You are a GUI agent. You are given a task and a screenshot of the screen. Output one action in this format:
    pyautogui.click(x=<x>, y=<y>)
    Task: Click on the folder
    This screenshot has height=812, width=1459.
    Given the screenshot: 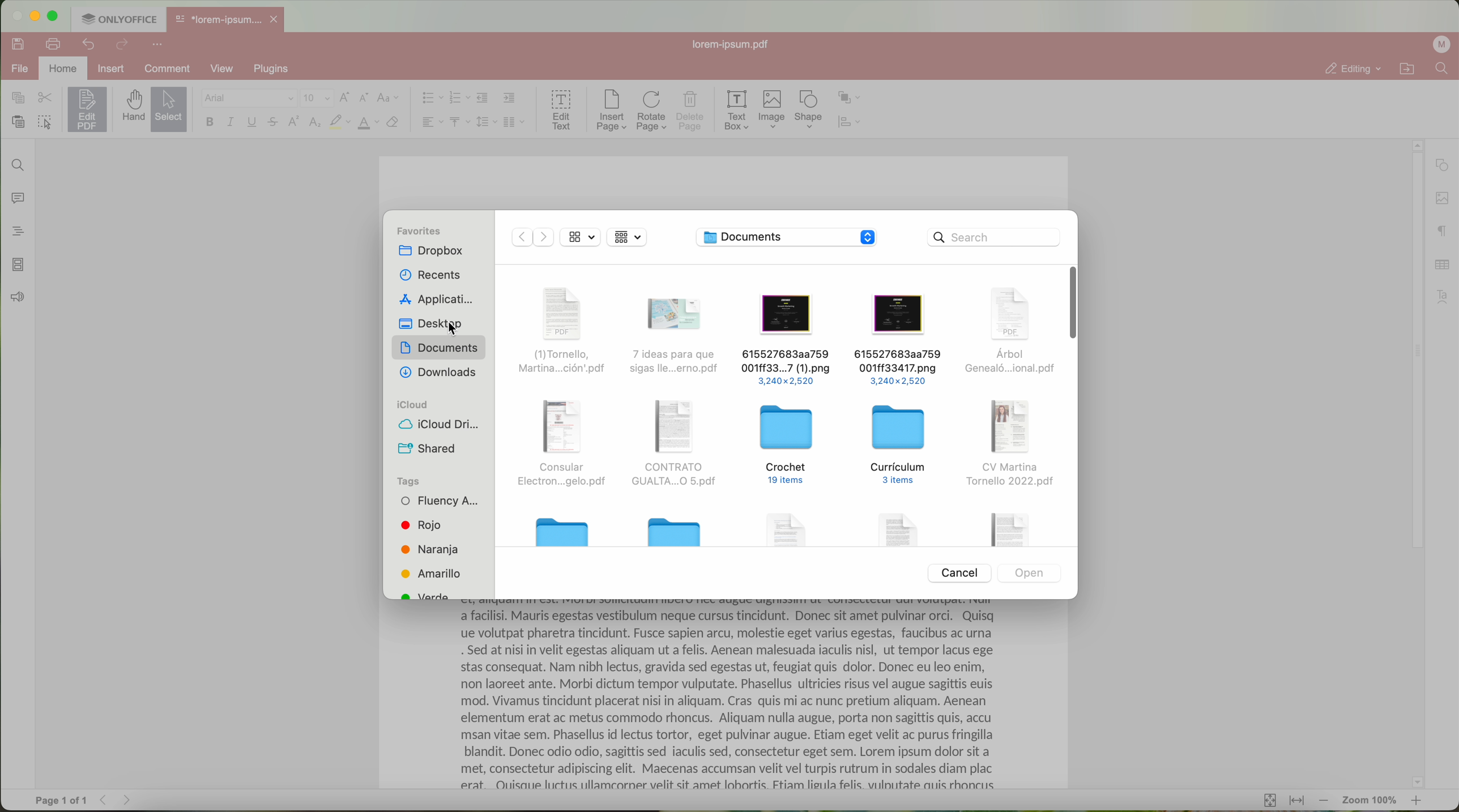 What is the action you would take?
    pyautogui.click(x=675, y=529)
    